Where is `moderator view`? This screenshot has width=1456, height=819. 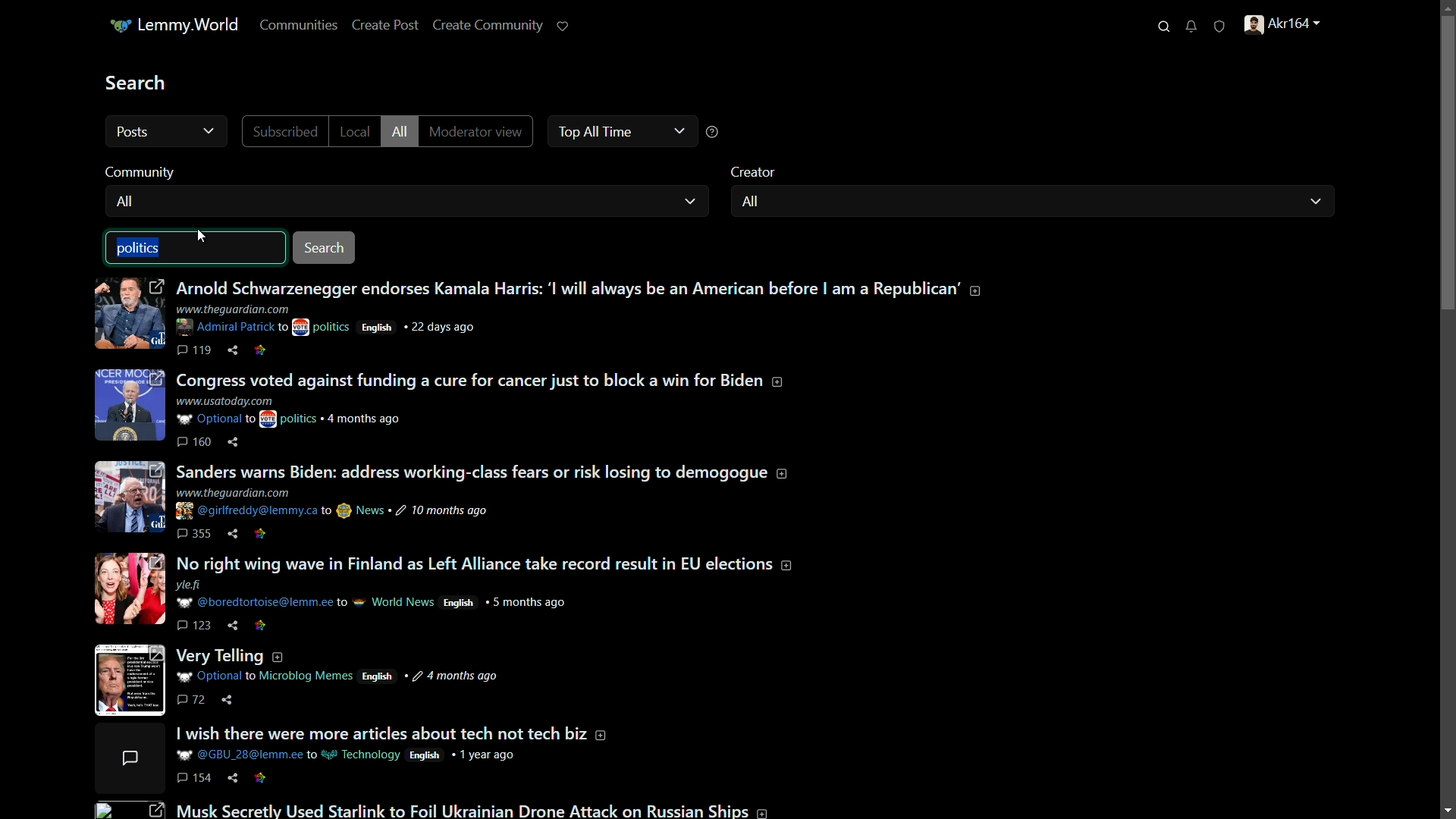
moderator view is located at coordinates (482, 133).